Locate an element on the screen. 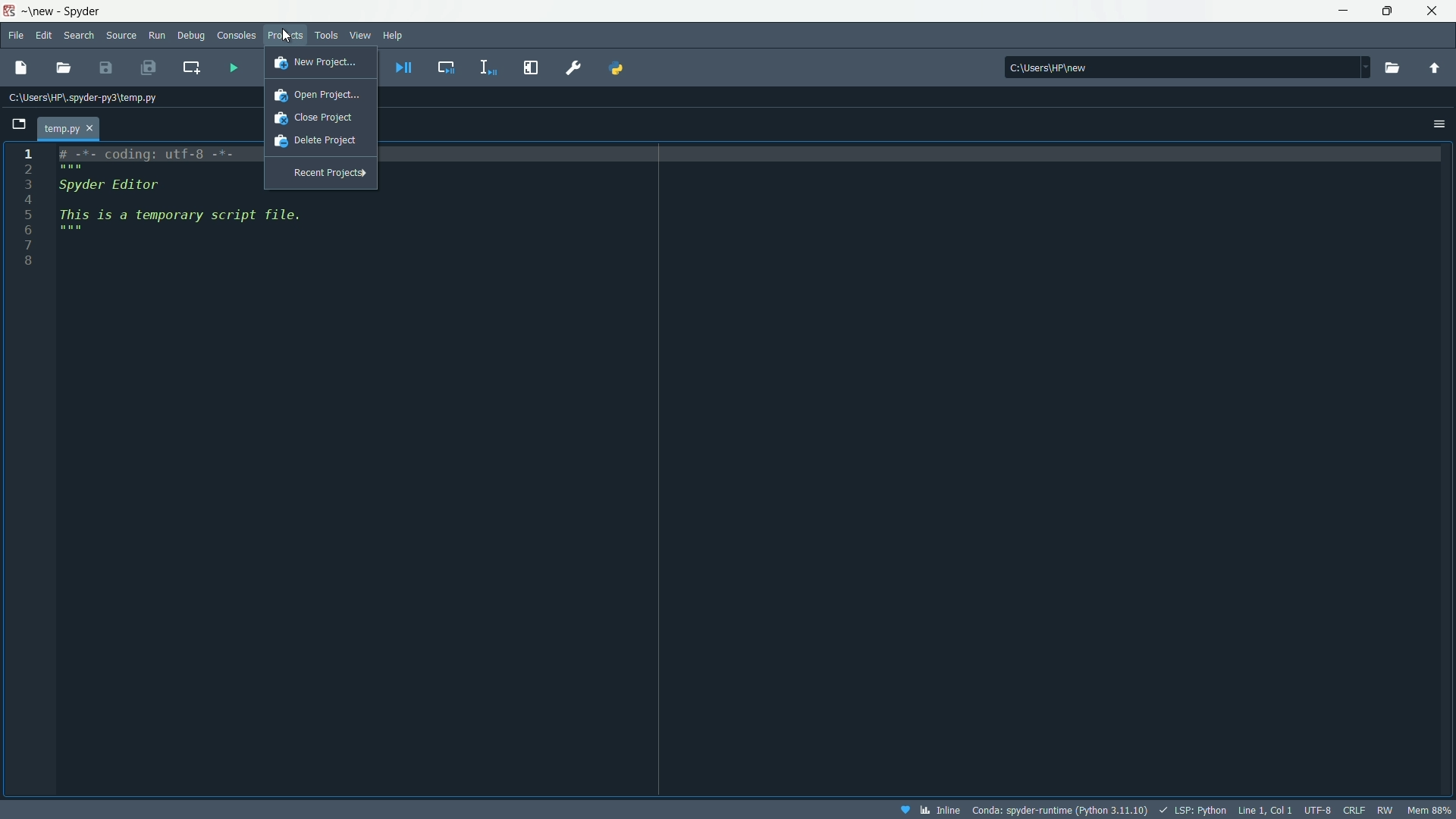 The image size is (1456, 819). New File  is located at coordinates (20, 67).